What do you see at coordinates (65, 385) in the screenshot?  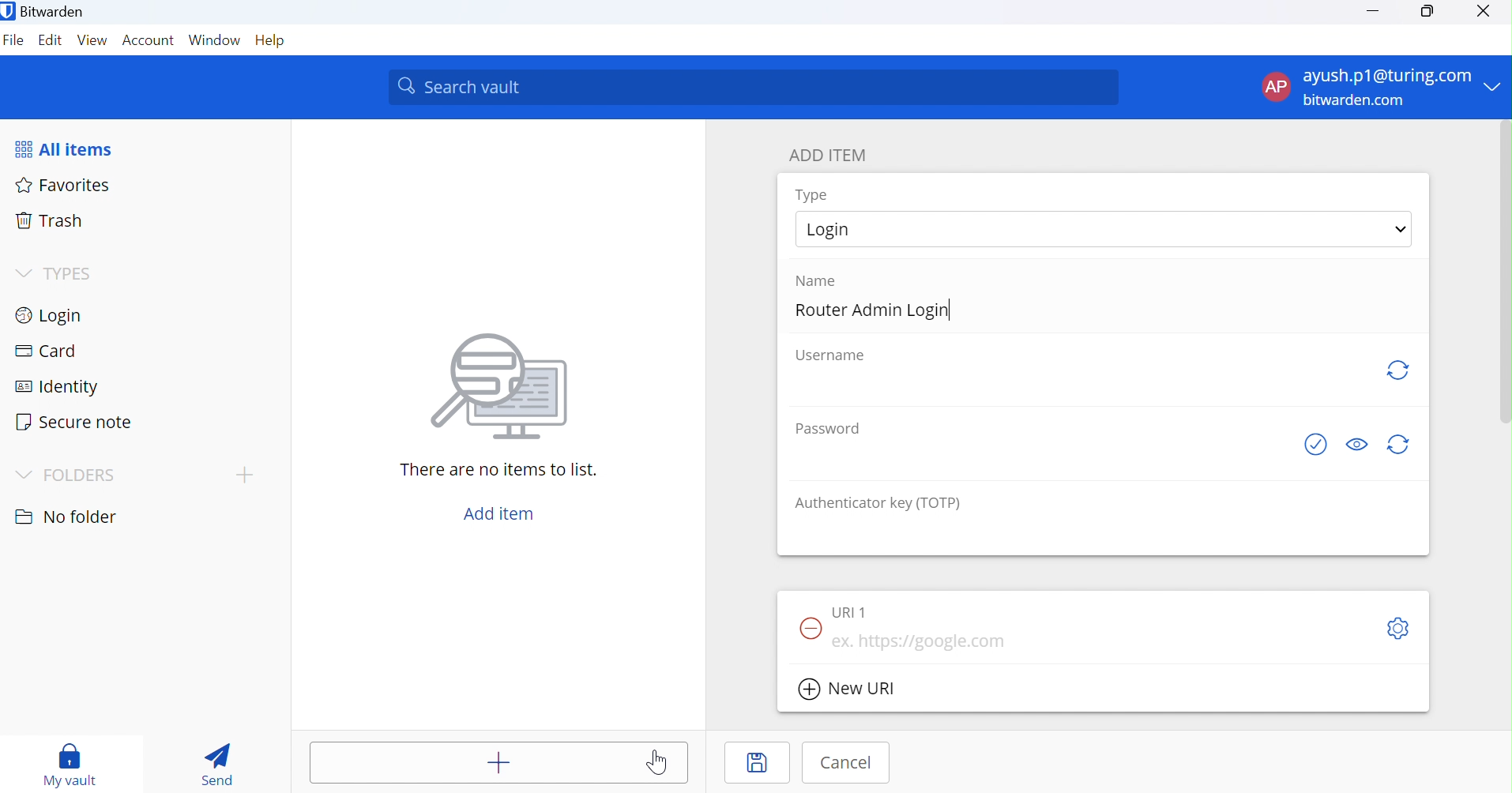 I see `Identity` at bounding box center [65, 385].